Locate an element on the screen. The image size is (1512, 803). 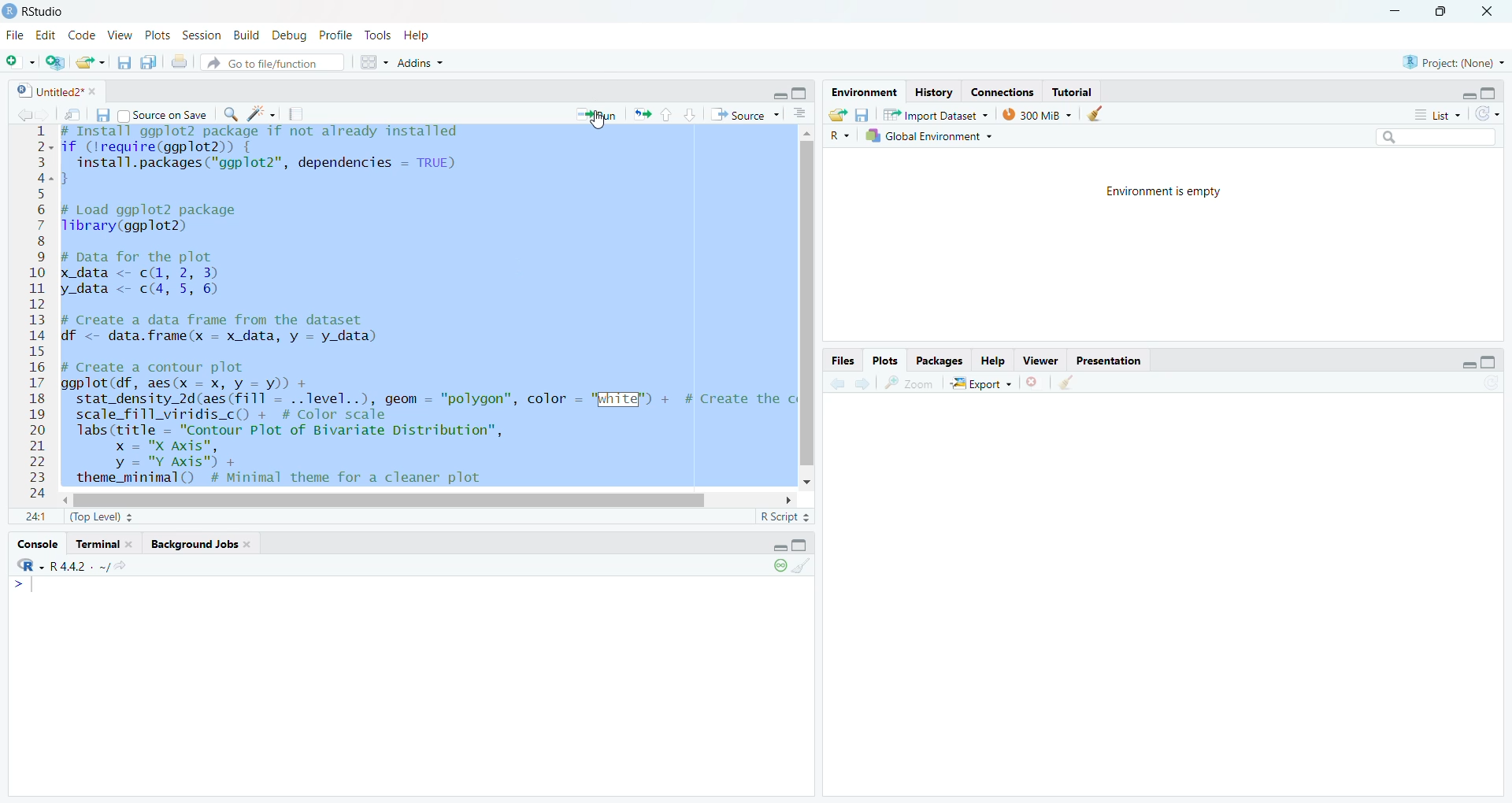
Files is located at coordinates (843, 362).